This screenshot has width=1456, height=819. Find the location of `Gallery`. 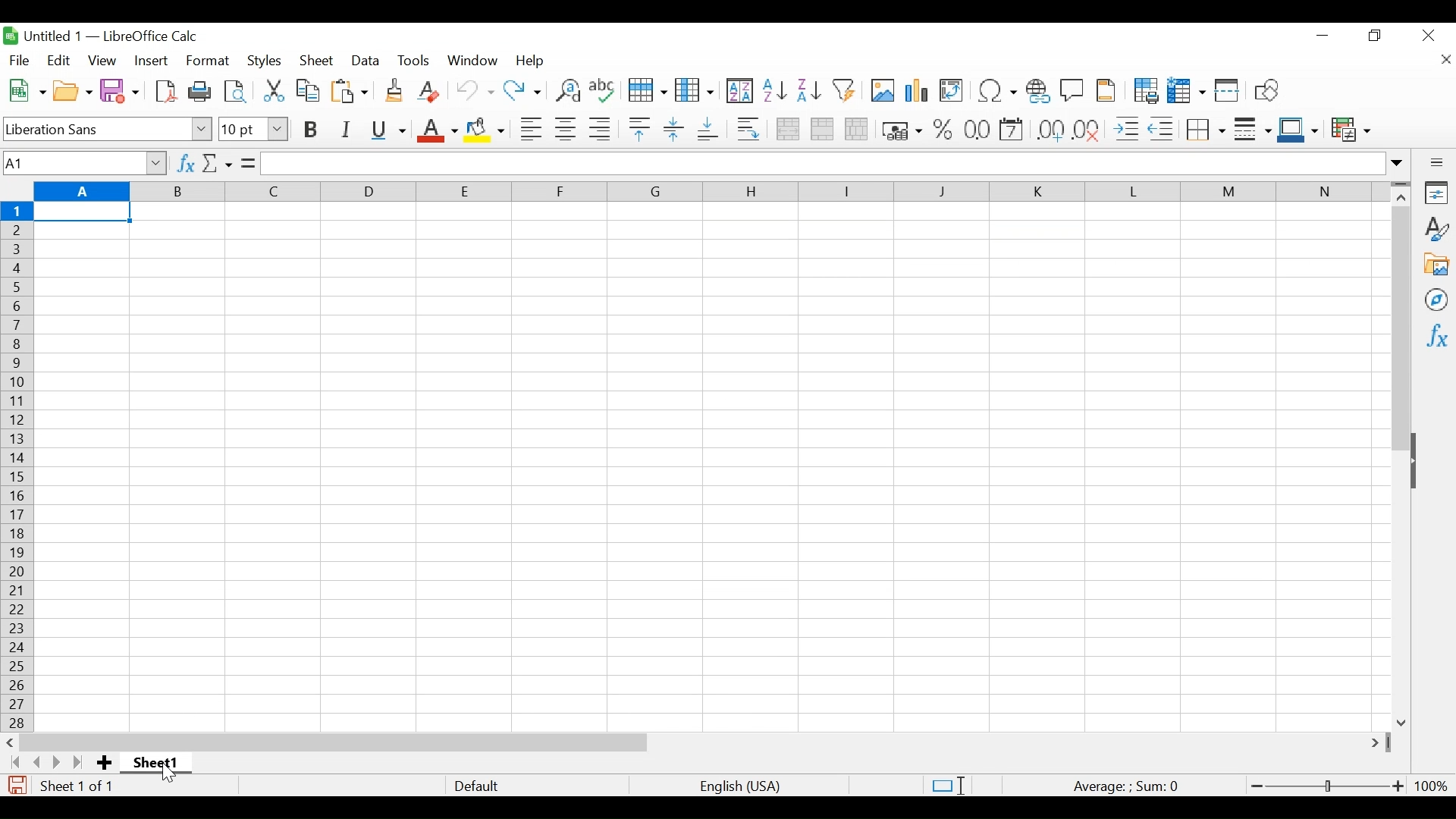

Gallery is located at coordinates (1436, 263).